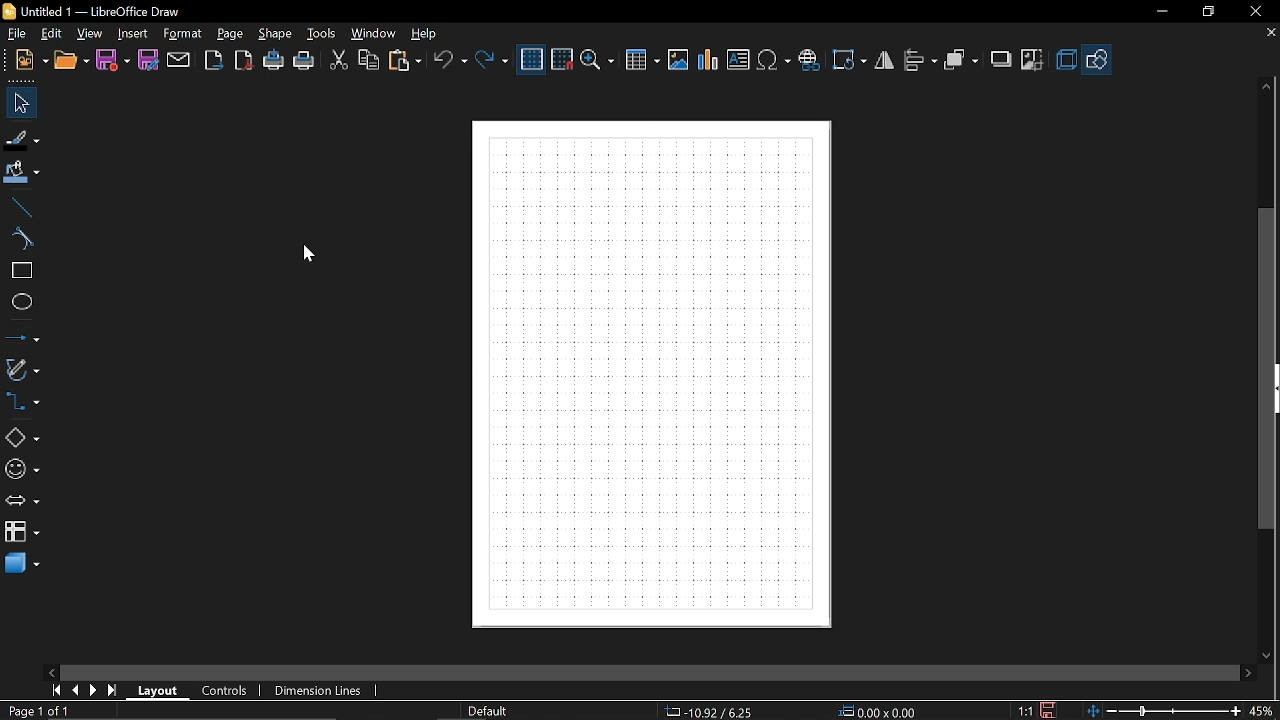  I want to click on Change zoom, so click(1163, 711).